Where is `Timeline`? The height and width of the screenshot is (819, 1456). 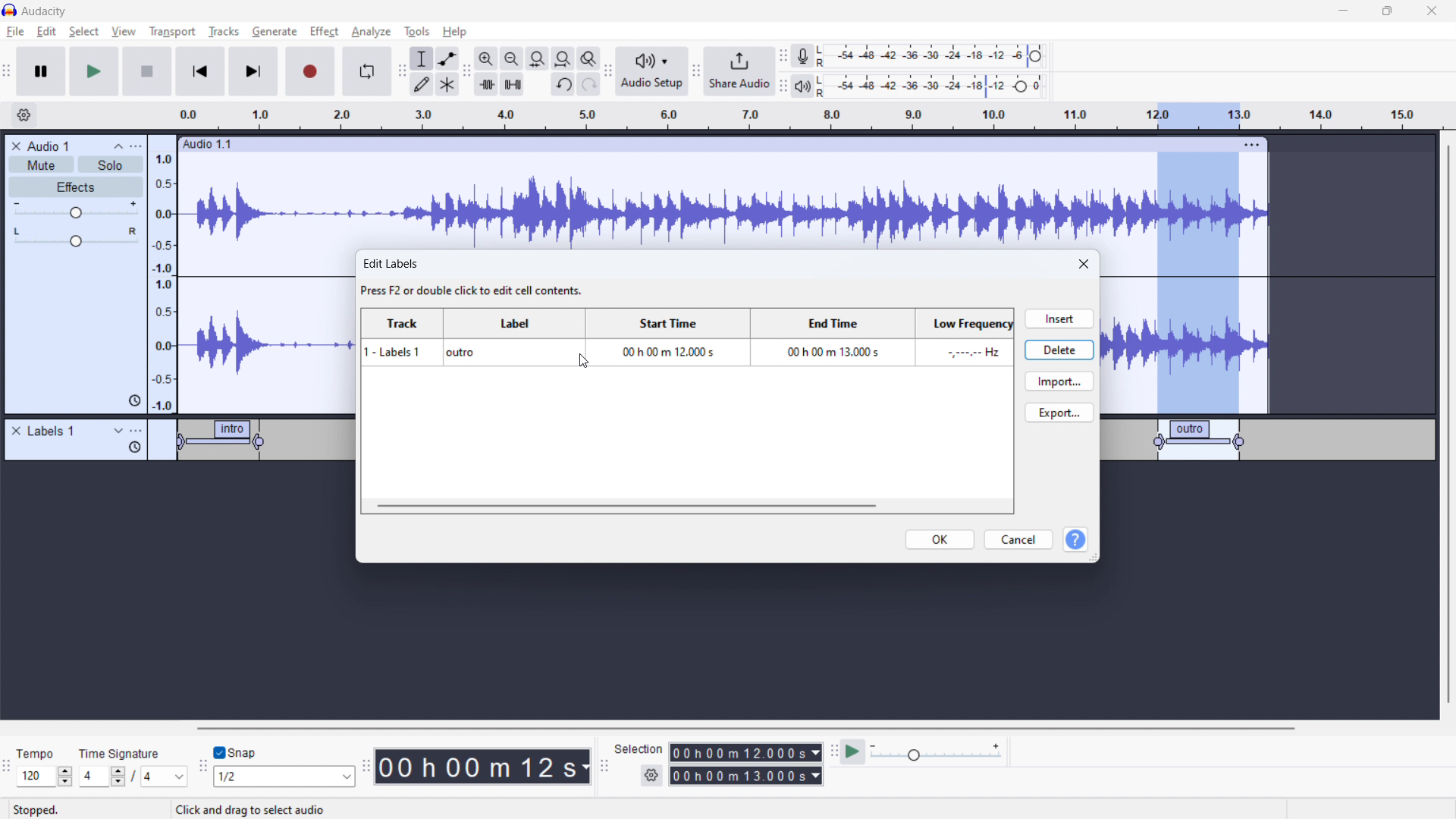 Timeline is located at coordinates (1267, 512).